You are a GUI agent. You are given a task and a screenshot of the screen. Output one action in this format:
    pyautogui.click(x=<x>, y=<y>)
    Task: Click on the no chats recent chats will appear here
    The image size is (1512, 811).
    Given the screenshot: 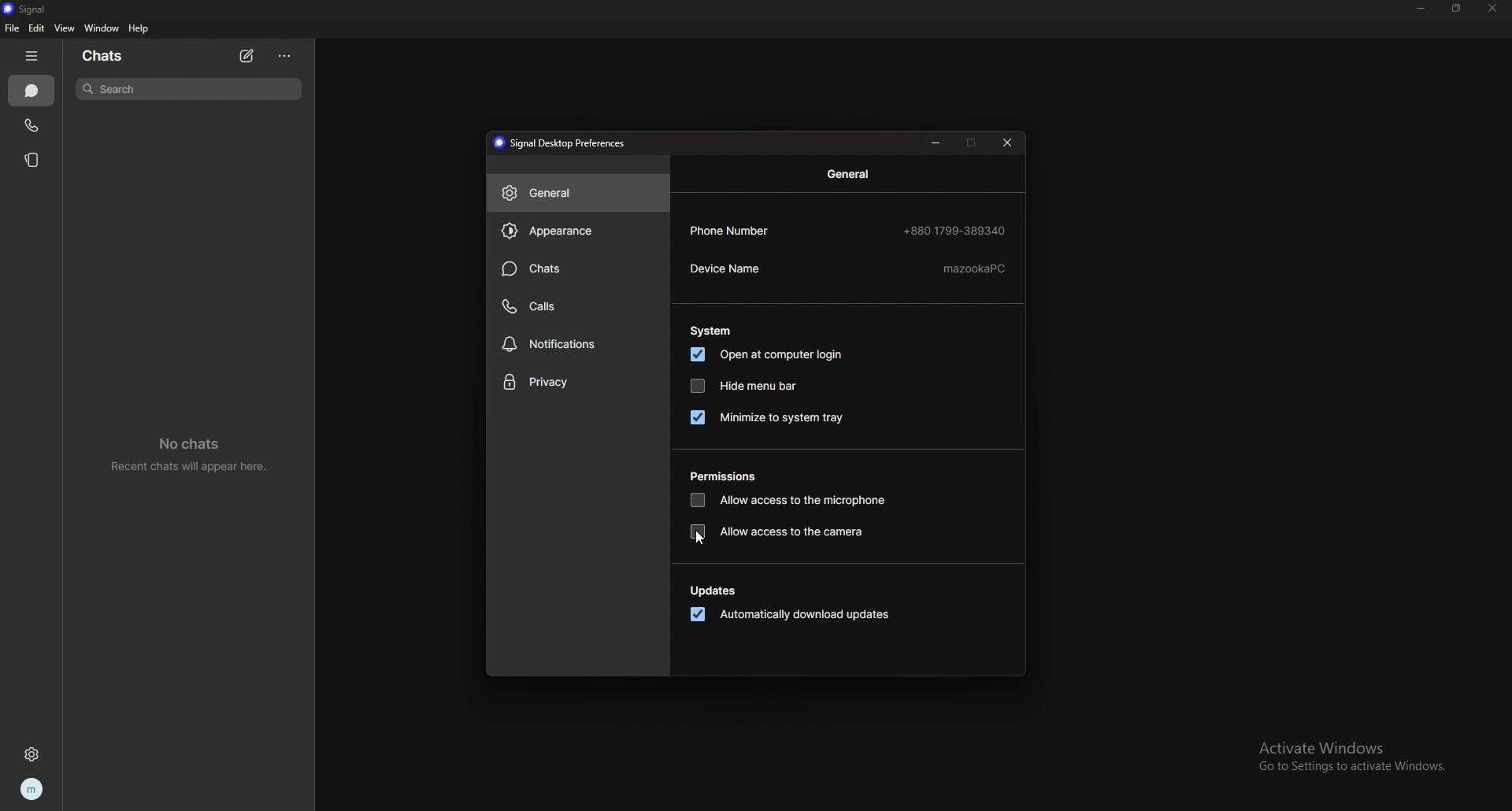 What is the action you would take?
    pyautogui.click(x=195, y=457)
    